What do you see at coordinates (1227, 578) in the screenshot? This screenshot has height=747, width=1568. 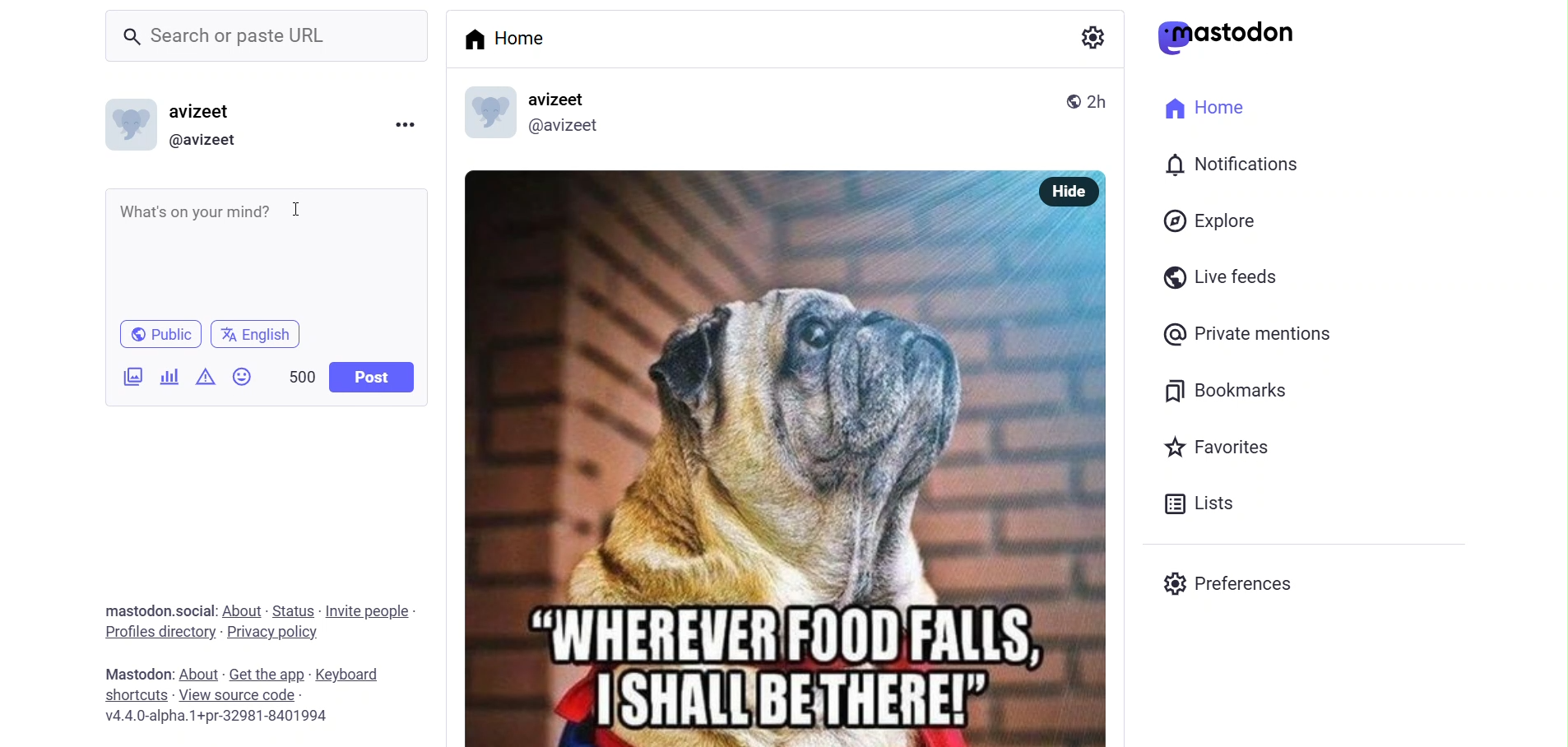 I see `preferences` at bounding box center [1227, 578].